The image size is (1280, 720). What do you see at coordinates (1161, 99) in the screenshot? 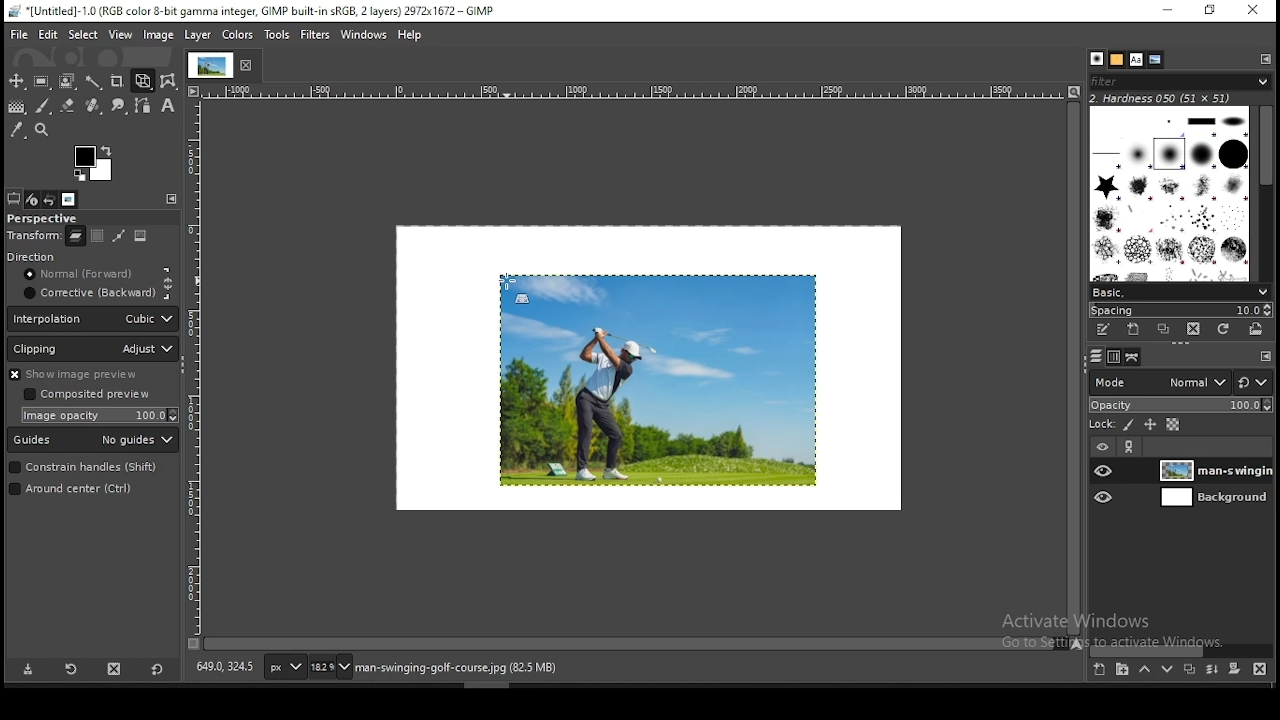
I see `hardness 050 (51x51)` at bounding box center [1161, 99].